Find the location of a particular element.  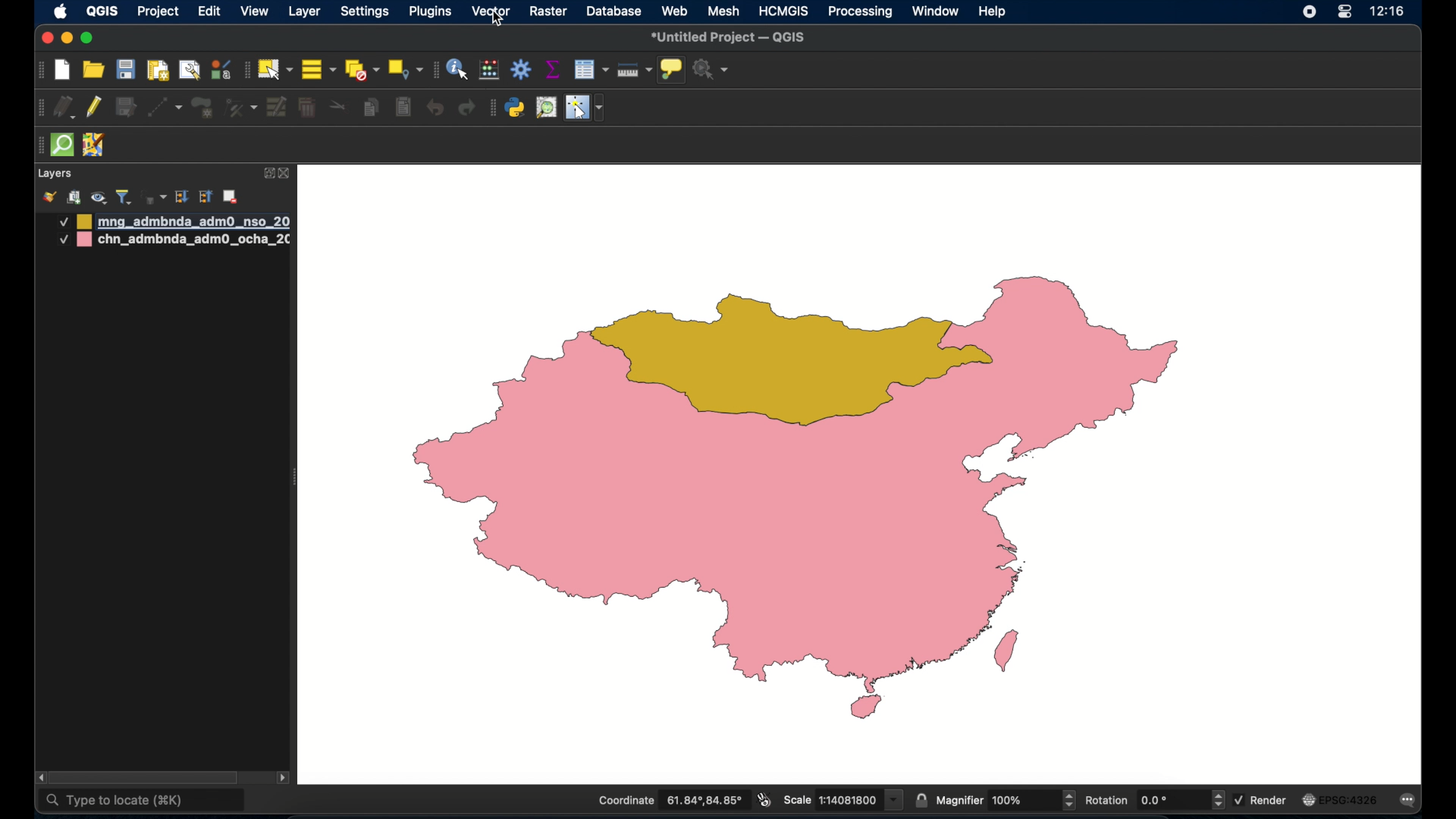

plugins toolbar is located at coordinates (491, 106).